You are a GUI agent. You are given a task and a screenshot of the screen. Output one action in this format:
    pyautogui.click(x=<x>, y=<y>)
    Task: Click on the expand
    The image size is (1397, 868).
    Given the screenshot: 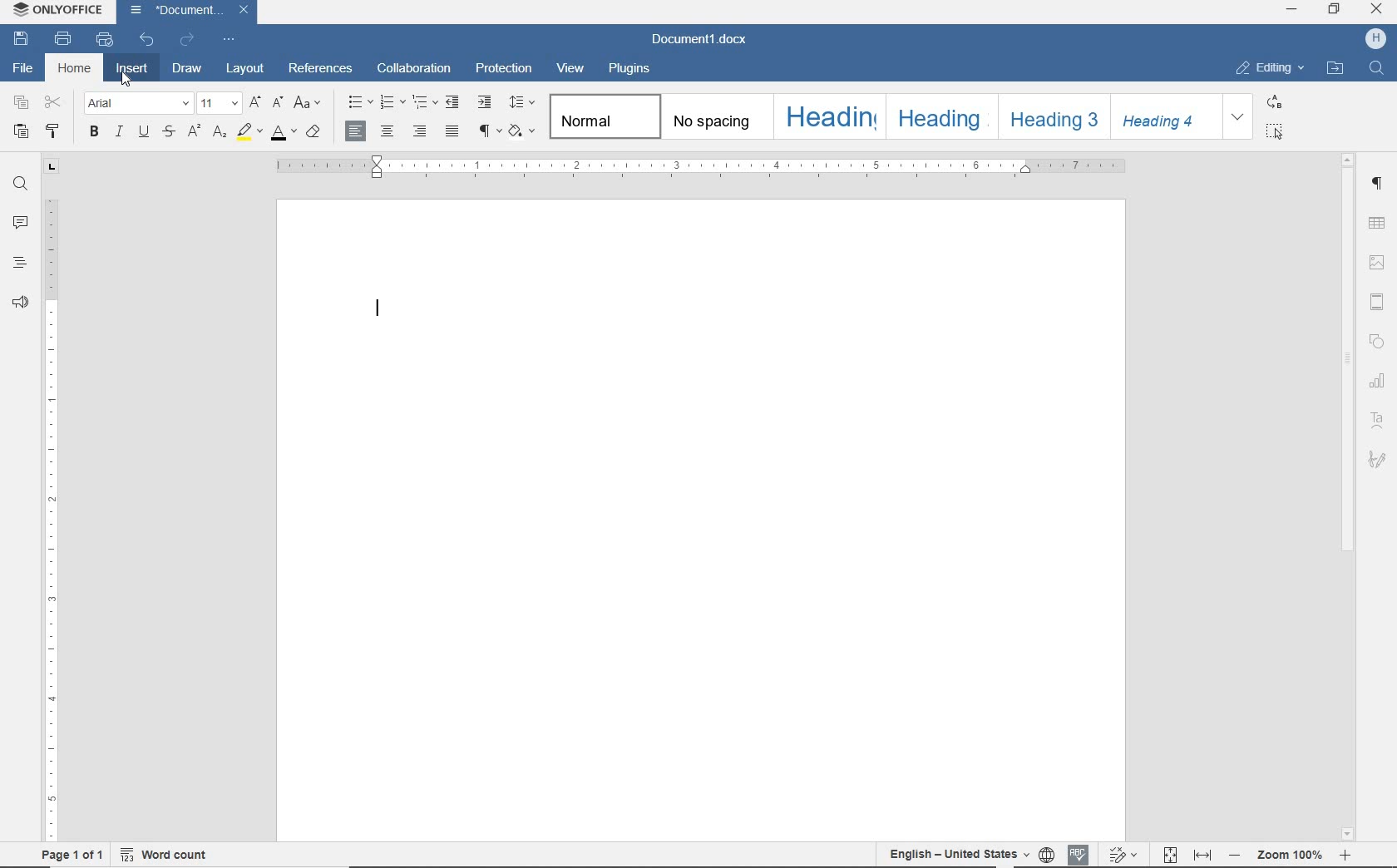 What is the action you would take?
    pyautogui.click(x=1239, y=116)
    